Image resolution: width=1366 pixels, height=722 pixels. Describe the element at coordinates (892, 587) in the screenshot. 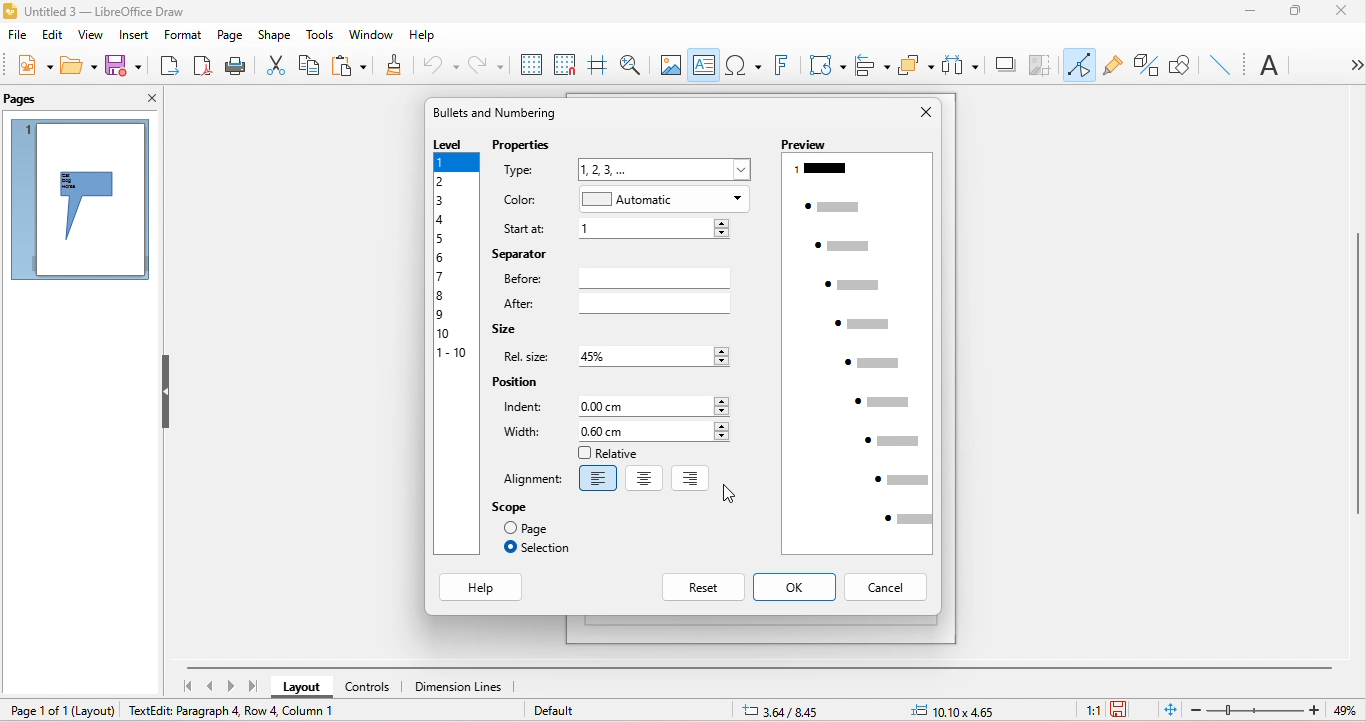

I see `cancel` at that location.